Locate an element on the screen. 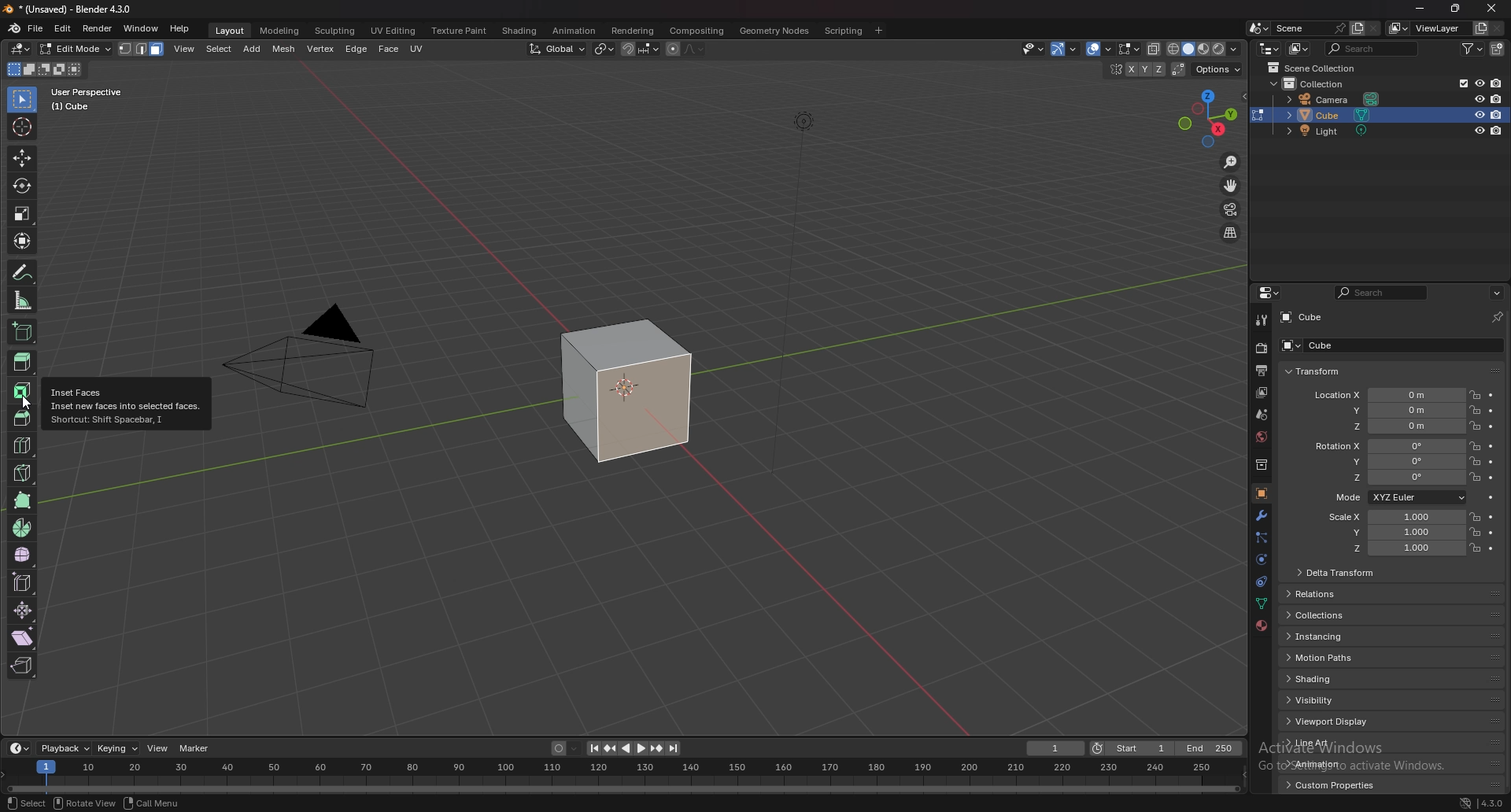 The image size is (1511, 812). rotate view is located at coordinates (84, 803).